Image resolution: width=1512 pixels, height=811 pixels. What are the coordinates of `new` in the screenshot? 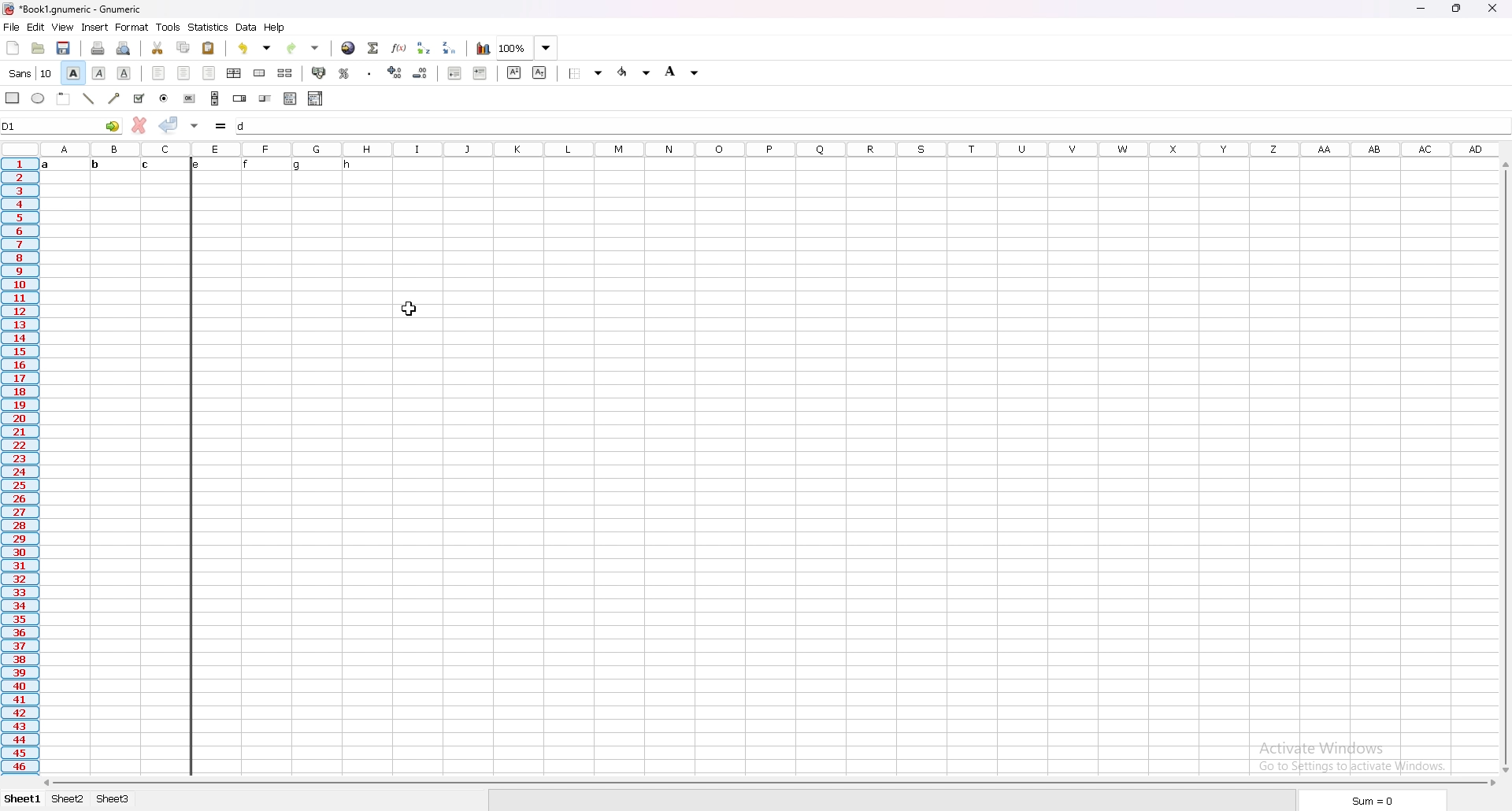 It's located at (13, 48).